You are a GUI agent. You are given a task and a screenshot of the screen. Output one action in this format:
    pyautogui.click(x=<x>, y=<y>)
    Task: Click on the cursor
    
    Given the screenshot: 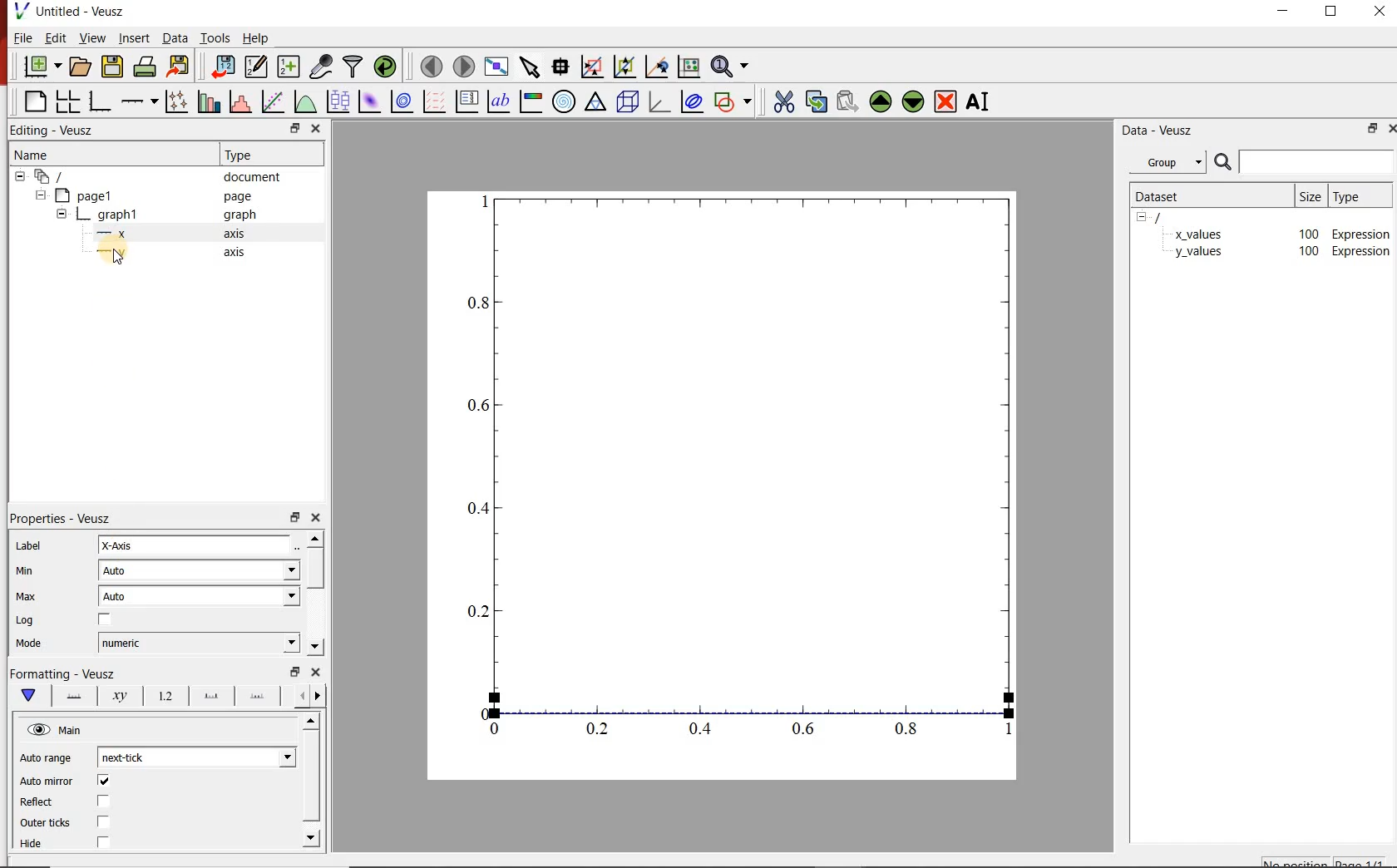 What is the action you would take?
    pyautogui.click(x=121, y=258)
    